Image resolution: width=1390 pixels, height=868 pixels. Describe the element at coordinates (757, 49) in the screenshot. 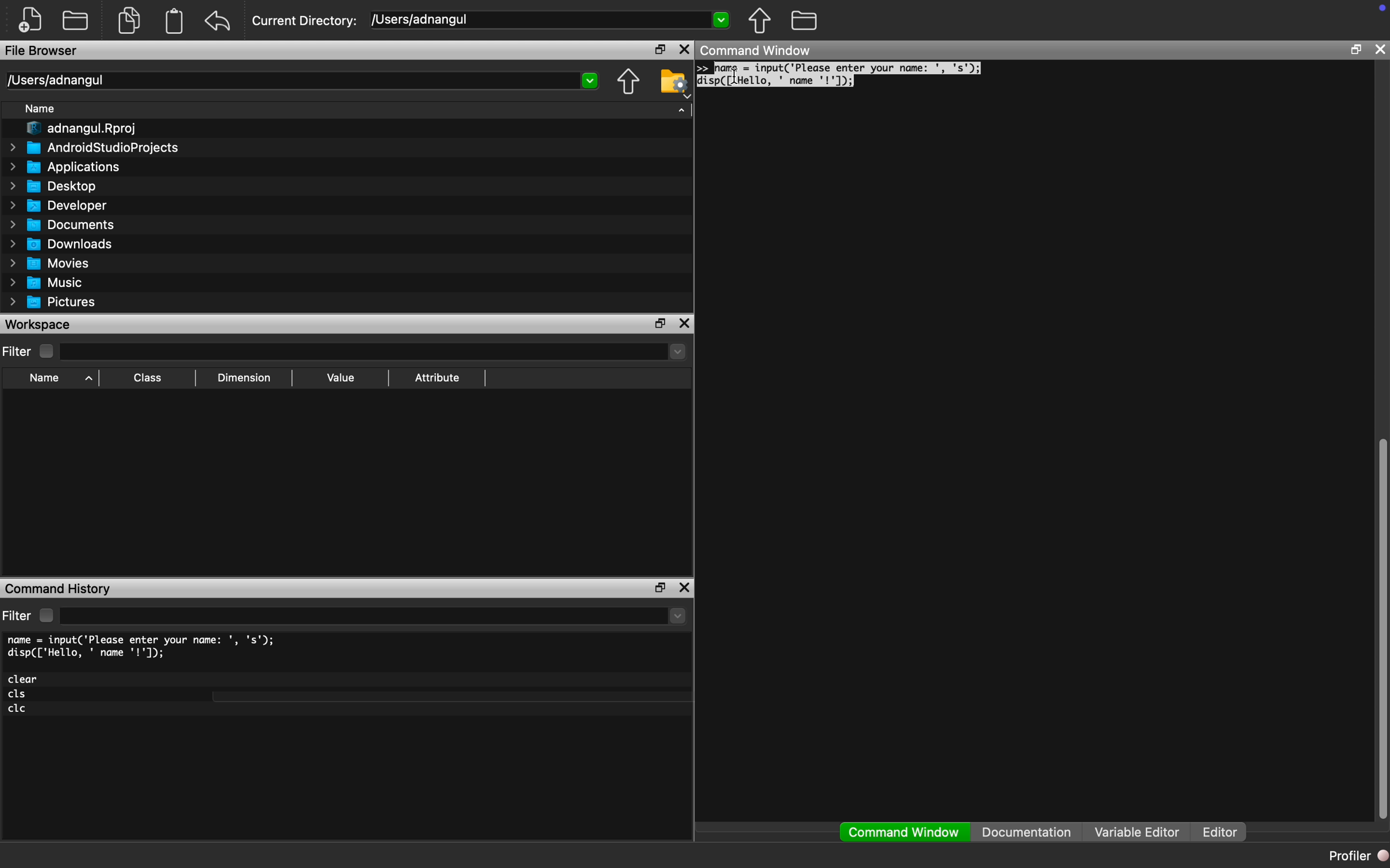

I see `Command Window` at that location.